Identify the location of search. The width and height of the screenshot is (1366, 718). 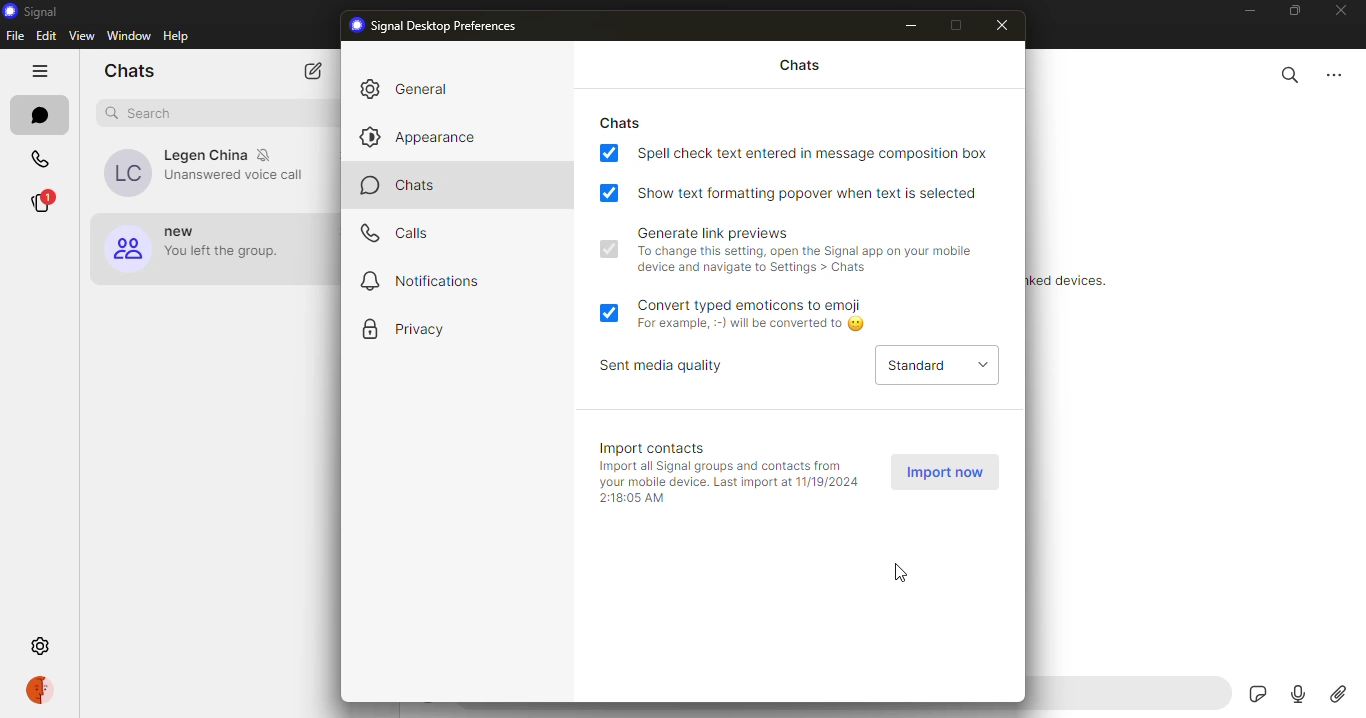
(143, 111).